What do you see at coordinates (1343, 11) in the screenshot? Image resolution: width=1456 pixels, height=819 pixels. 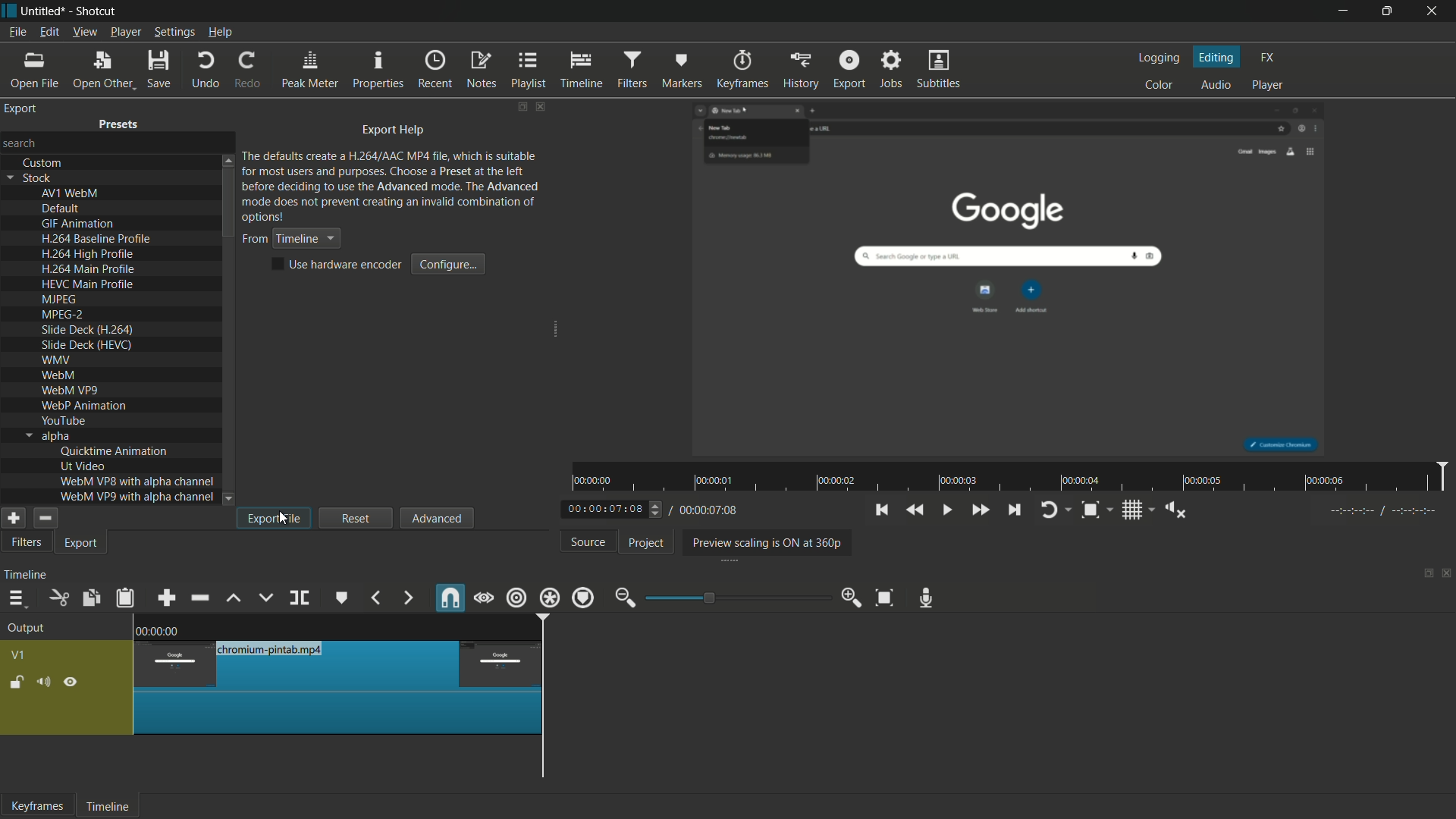 I see `minimize` at bounding box center [1343, 11].